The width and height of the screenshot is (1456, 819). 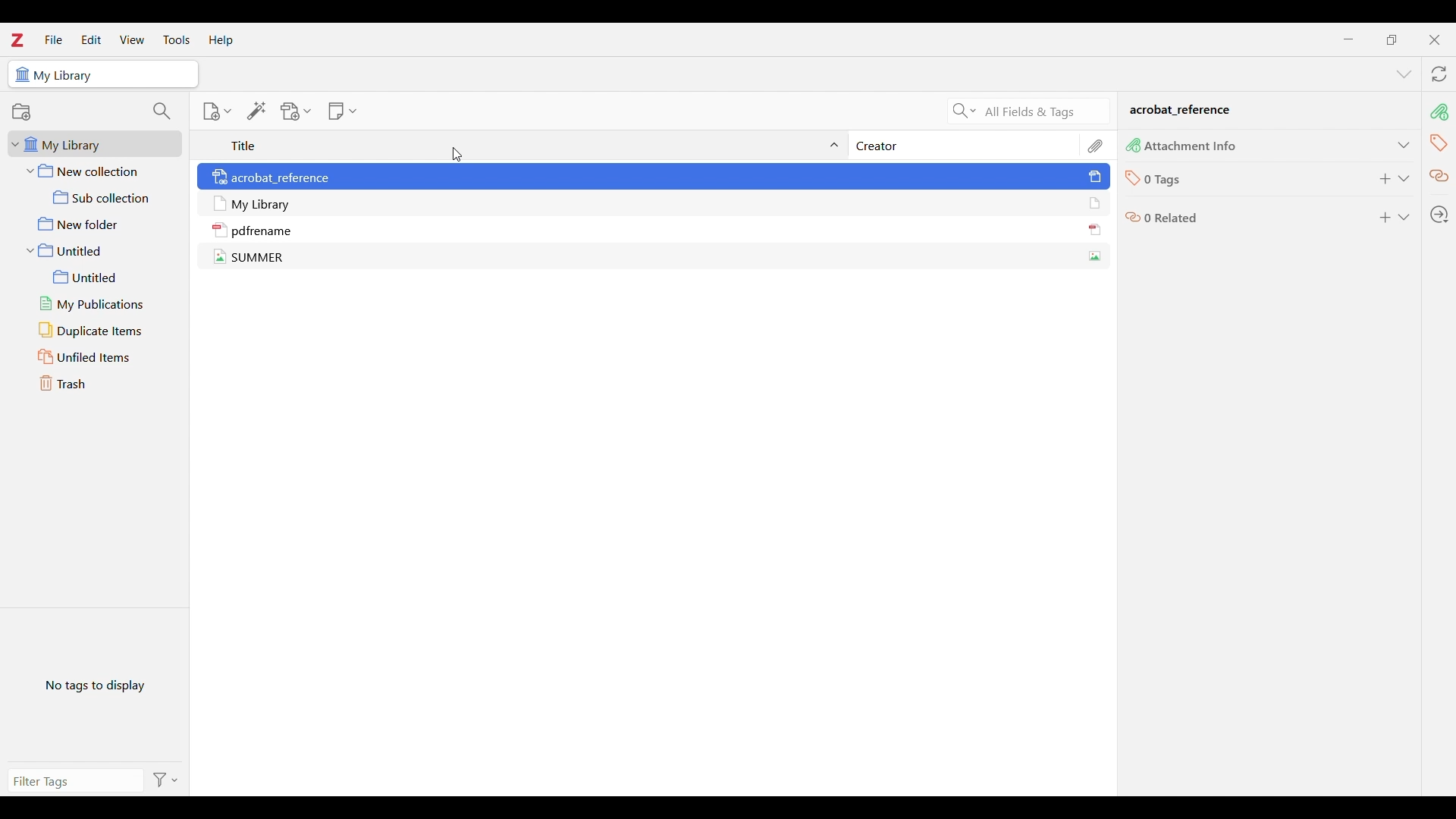 I want to click on Expand Related, so click(x=1404, y=217).